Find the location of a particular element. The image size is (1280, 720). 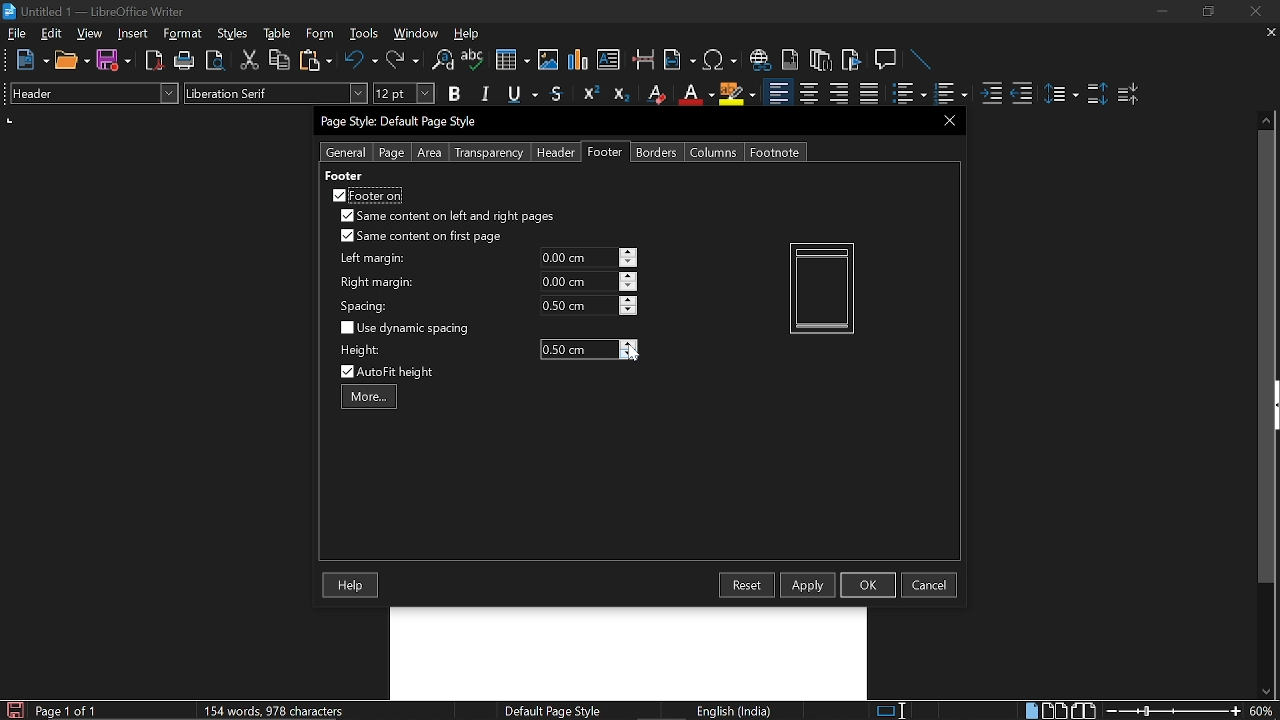

Align right is located at coordinates (841, 93).